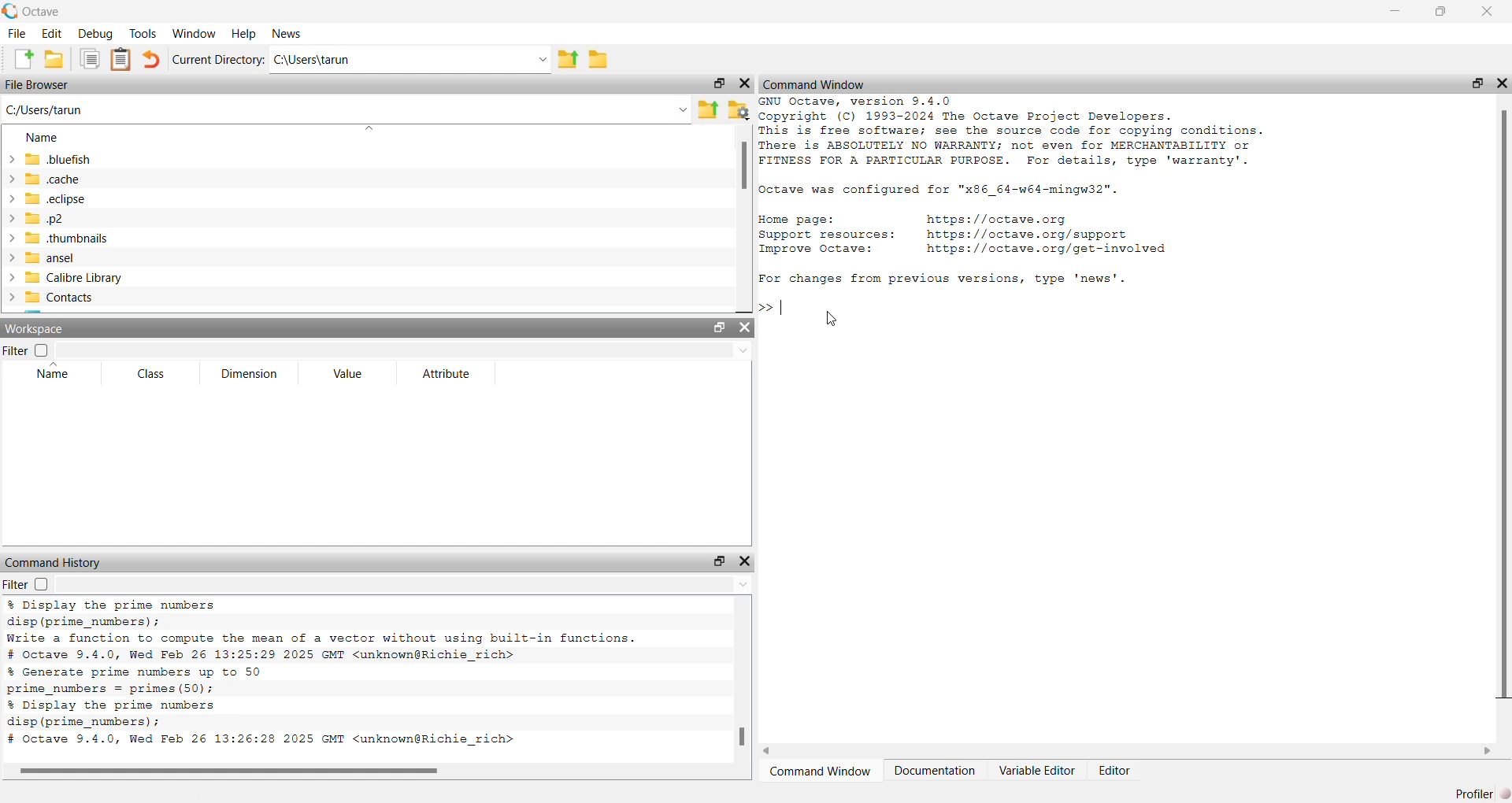  I want to click on Drop-down , so click(543, 60).